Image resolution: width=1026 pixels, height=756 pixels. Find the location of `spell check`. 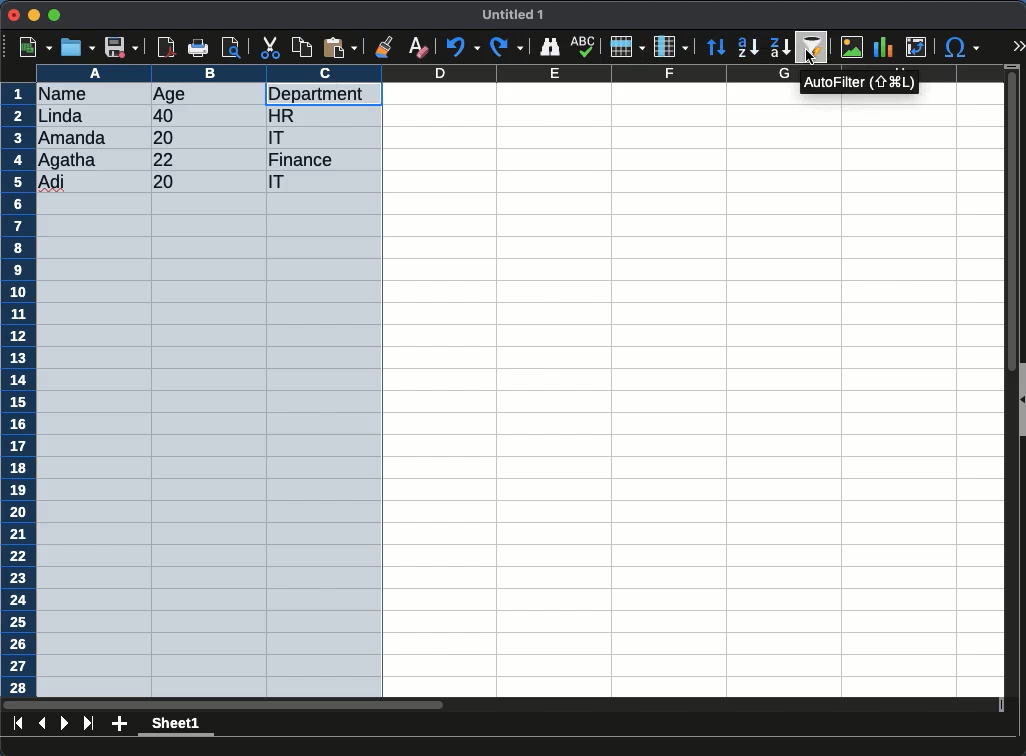

spell check is located at coordinates (584, 44).